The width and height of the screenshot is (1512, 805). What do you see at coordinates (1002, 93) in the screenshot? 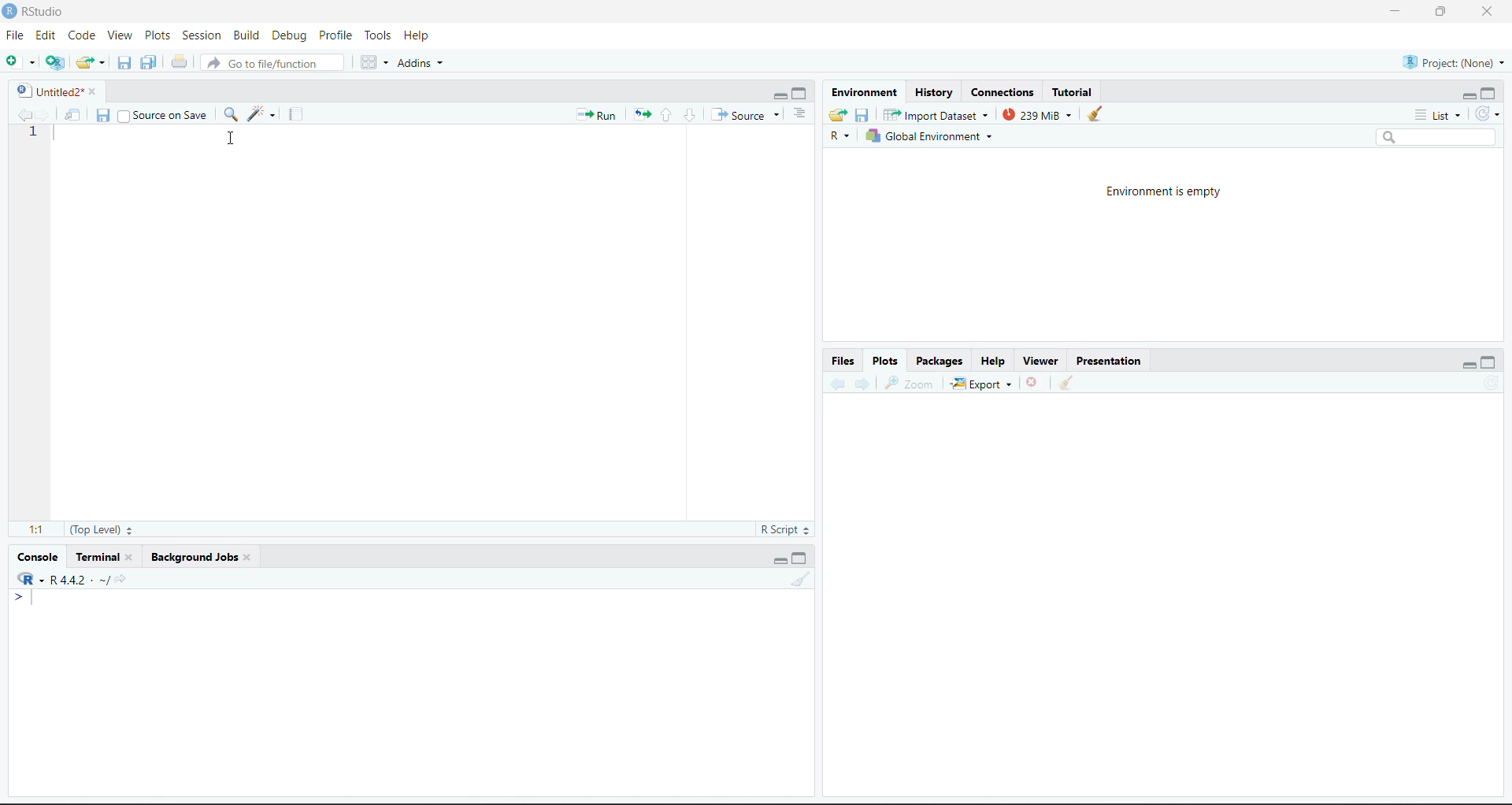
I see `Connections` at bounding box center [1002, 93].